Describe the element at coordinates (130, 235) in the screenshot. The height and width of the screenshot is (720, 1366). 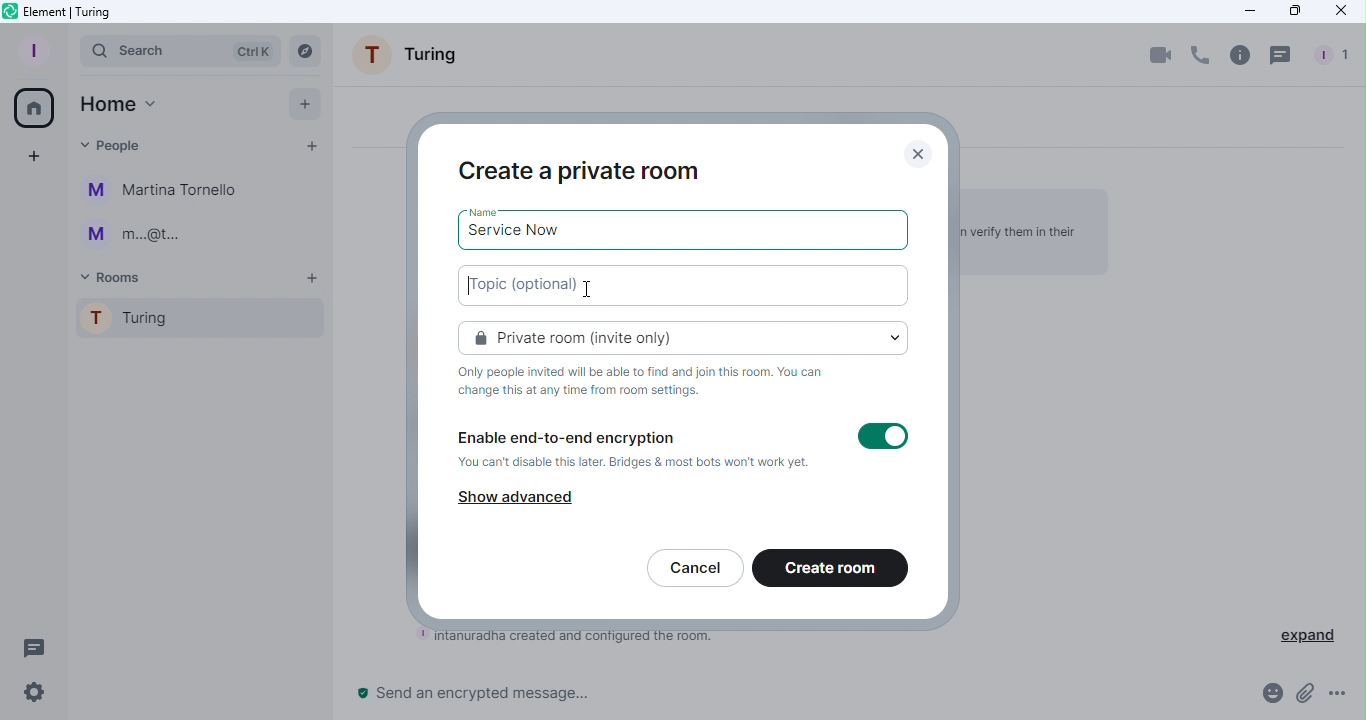
I see `m...@t..` at that location.